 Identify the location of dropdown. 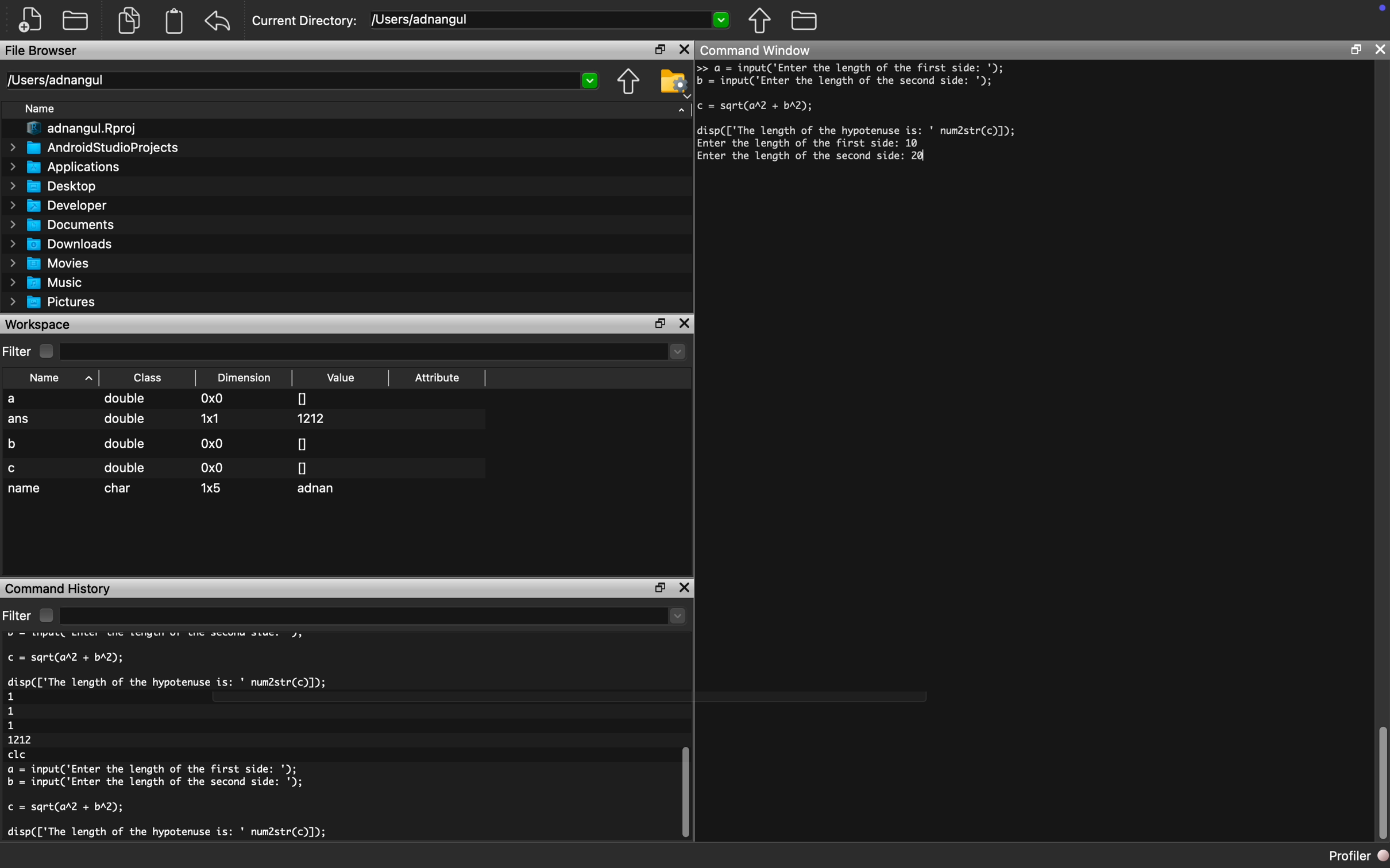
(375, 352).